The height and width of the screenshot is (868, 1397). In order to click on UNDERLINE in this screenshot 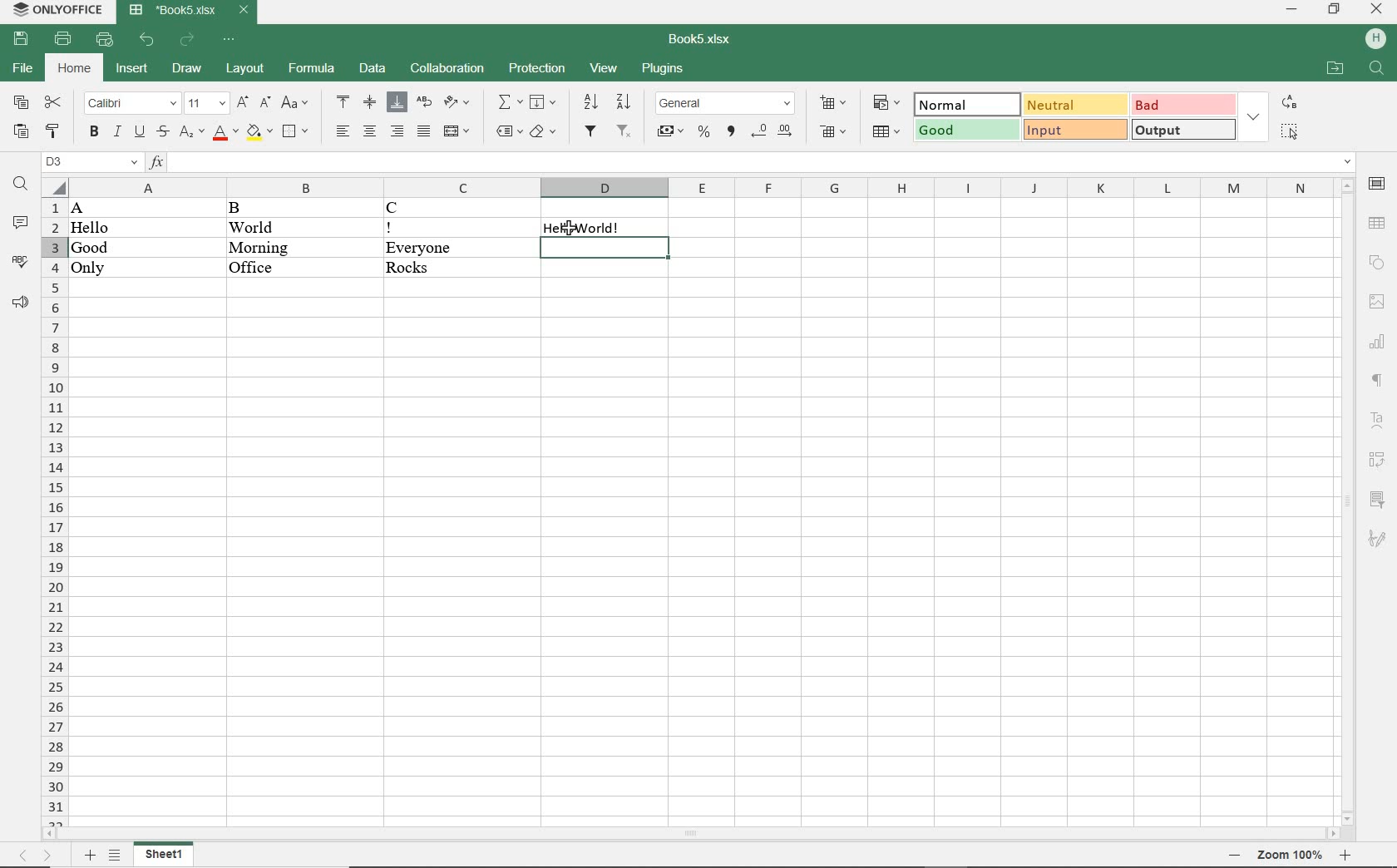, I will do `click(141, 131)`.